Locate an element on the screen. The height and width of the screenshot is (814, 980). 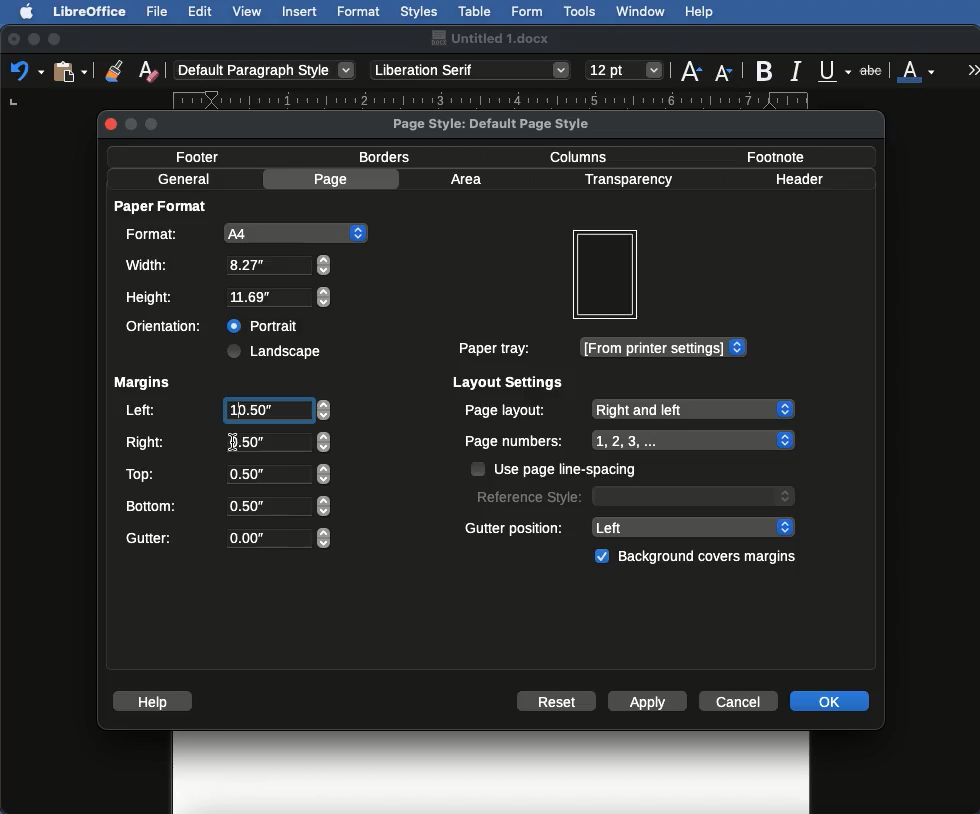
Clone formatting is located at coordinates (114, 70).